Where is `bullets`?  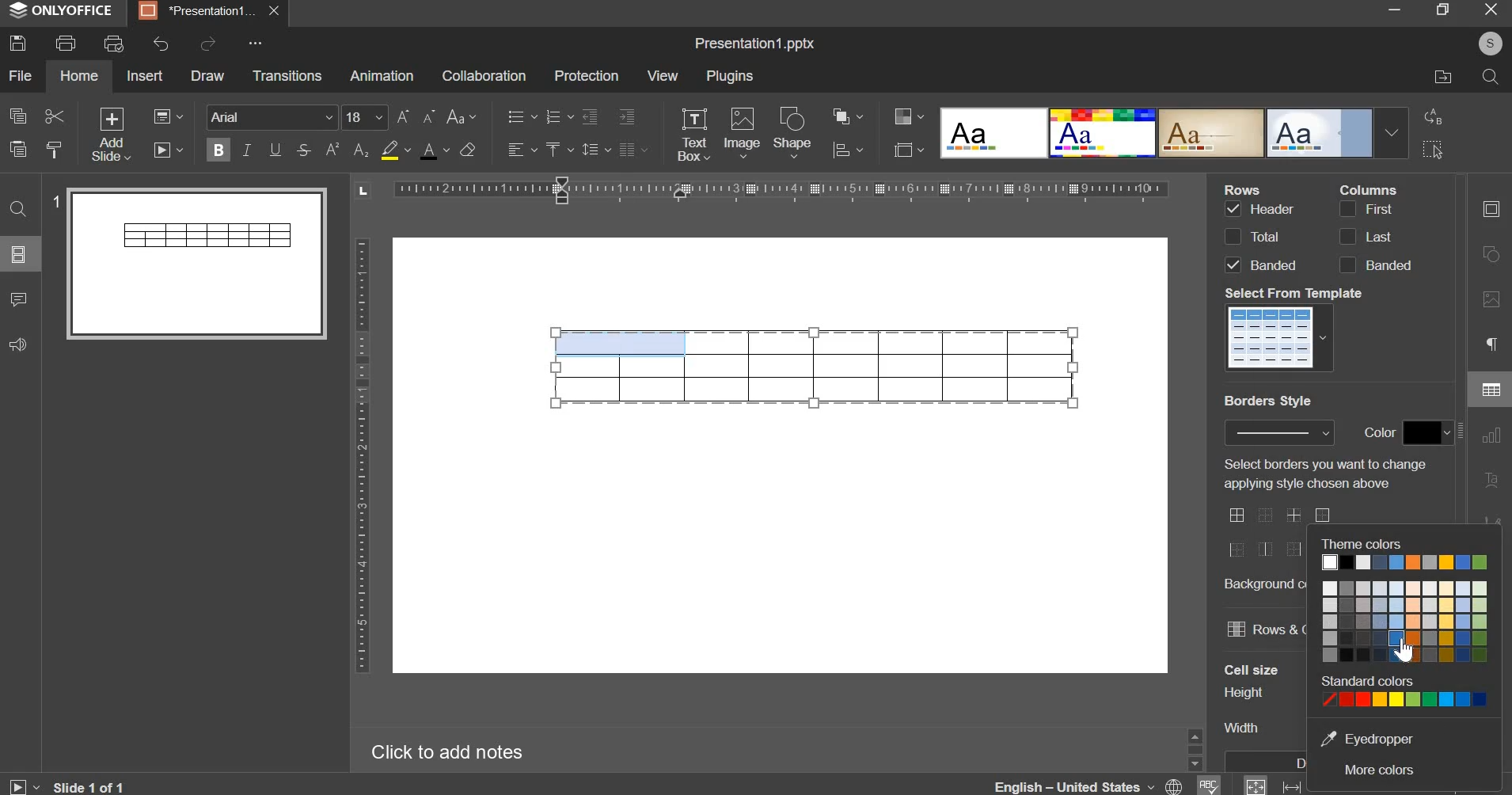 bullets is located at coordinates (521, 116).